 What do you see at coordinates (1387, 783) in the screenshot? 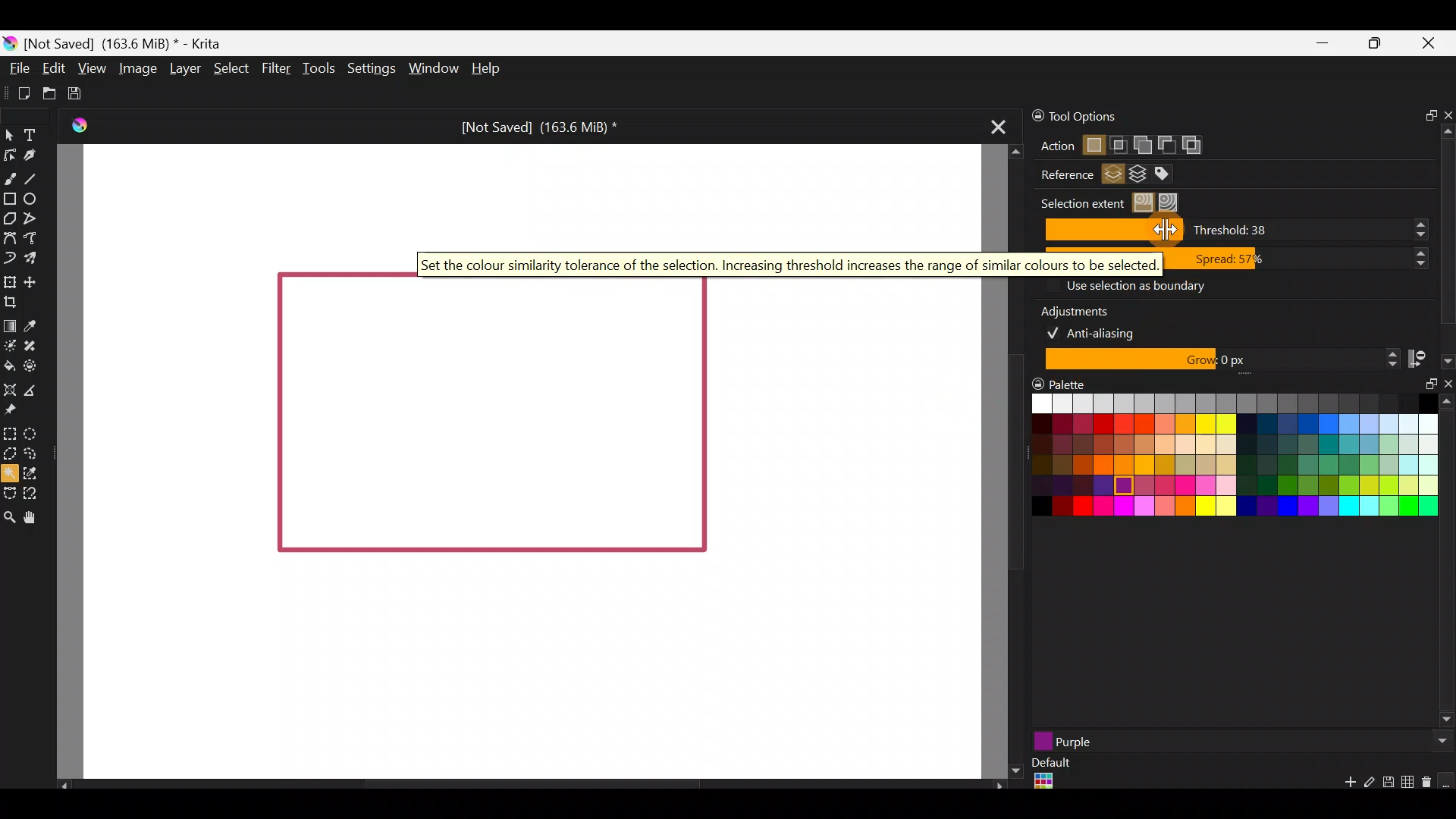
I see `Save palette explicitly` at bounding box center [1387, 783].